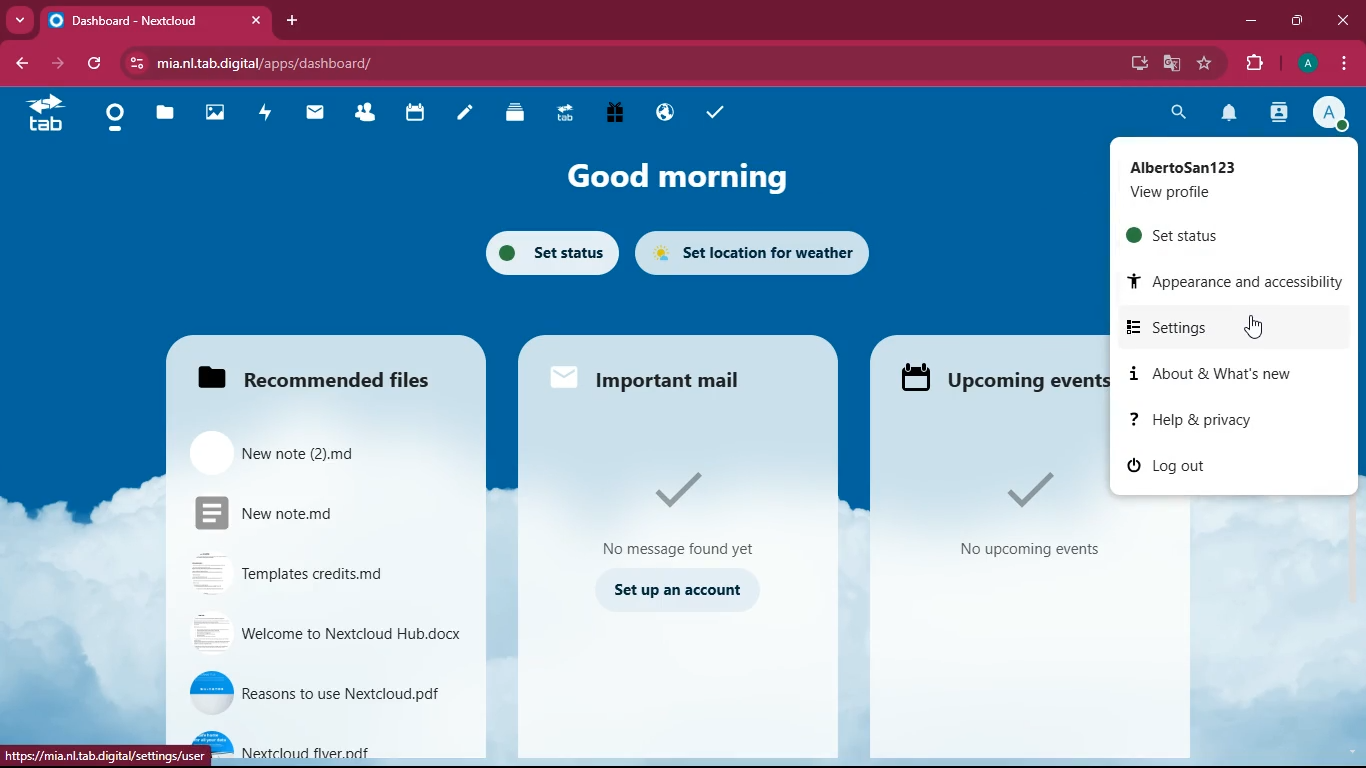  Describe the element at coordinates (319, 733) in the screenshot. I see `nextcloud  flyer.pdf` at that location.